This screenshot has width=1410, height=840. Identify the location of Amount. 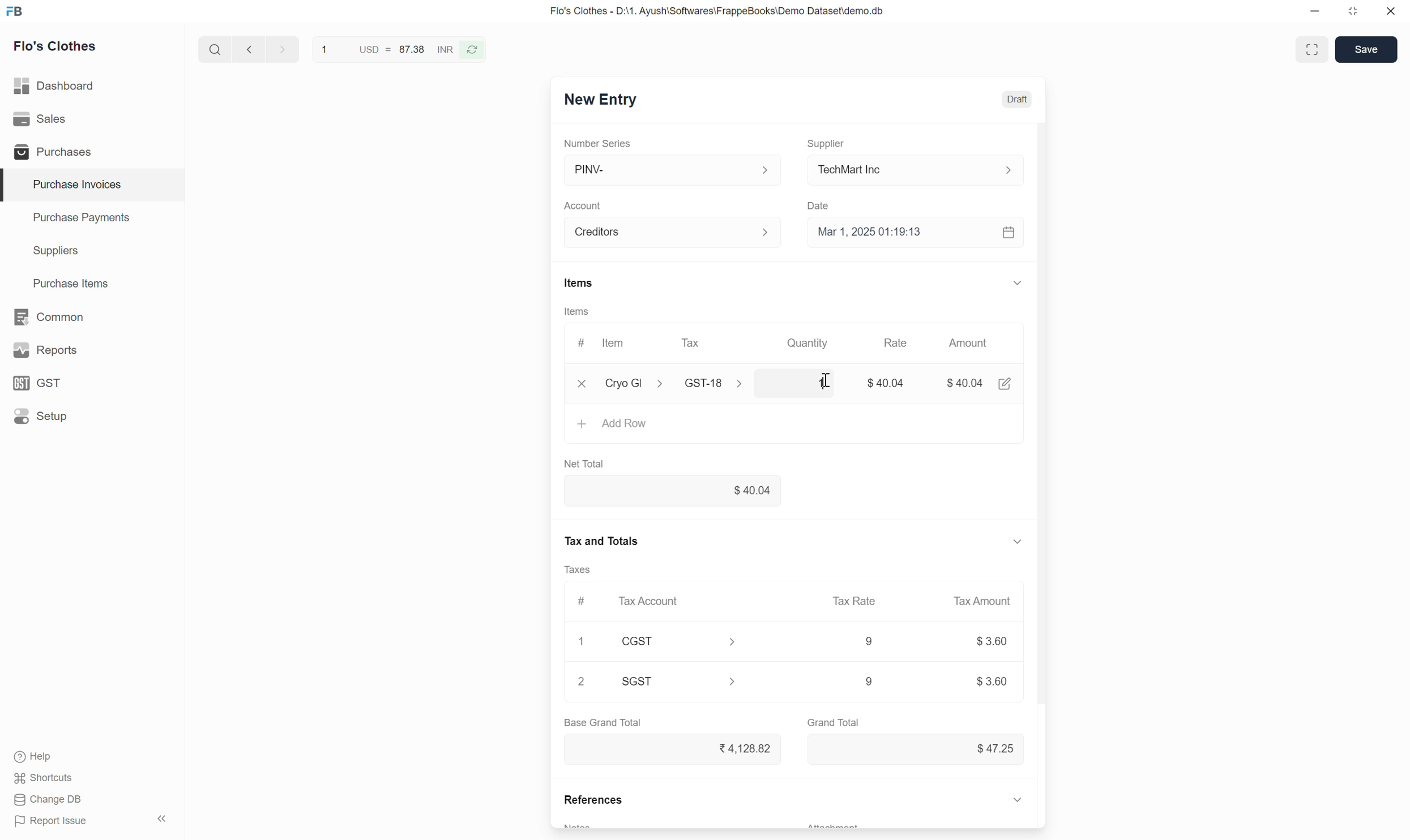
(973, 345).